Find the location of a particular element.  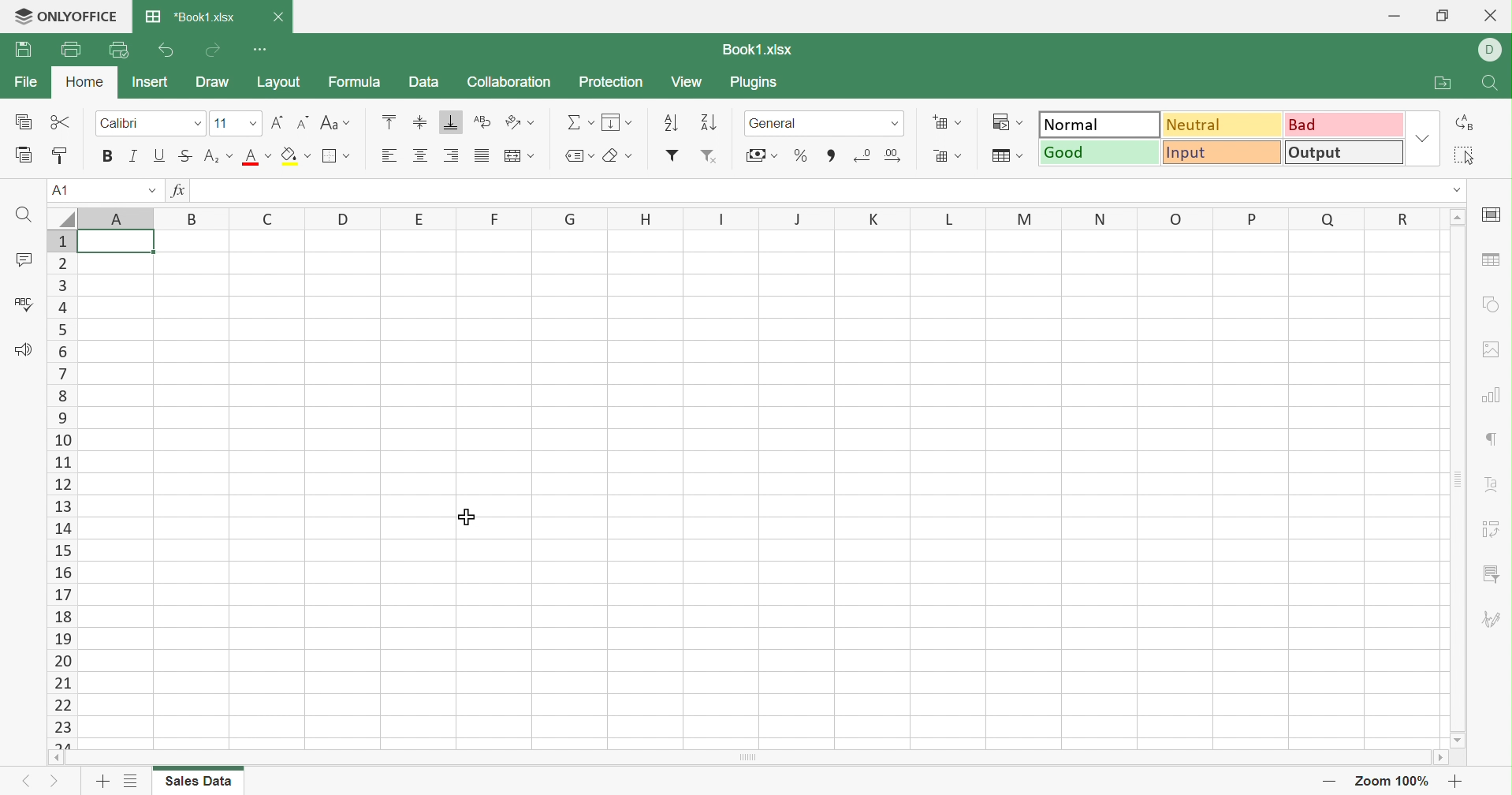

Check Spelling is located at coordinates (28, 303).